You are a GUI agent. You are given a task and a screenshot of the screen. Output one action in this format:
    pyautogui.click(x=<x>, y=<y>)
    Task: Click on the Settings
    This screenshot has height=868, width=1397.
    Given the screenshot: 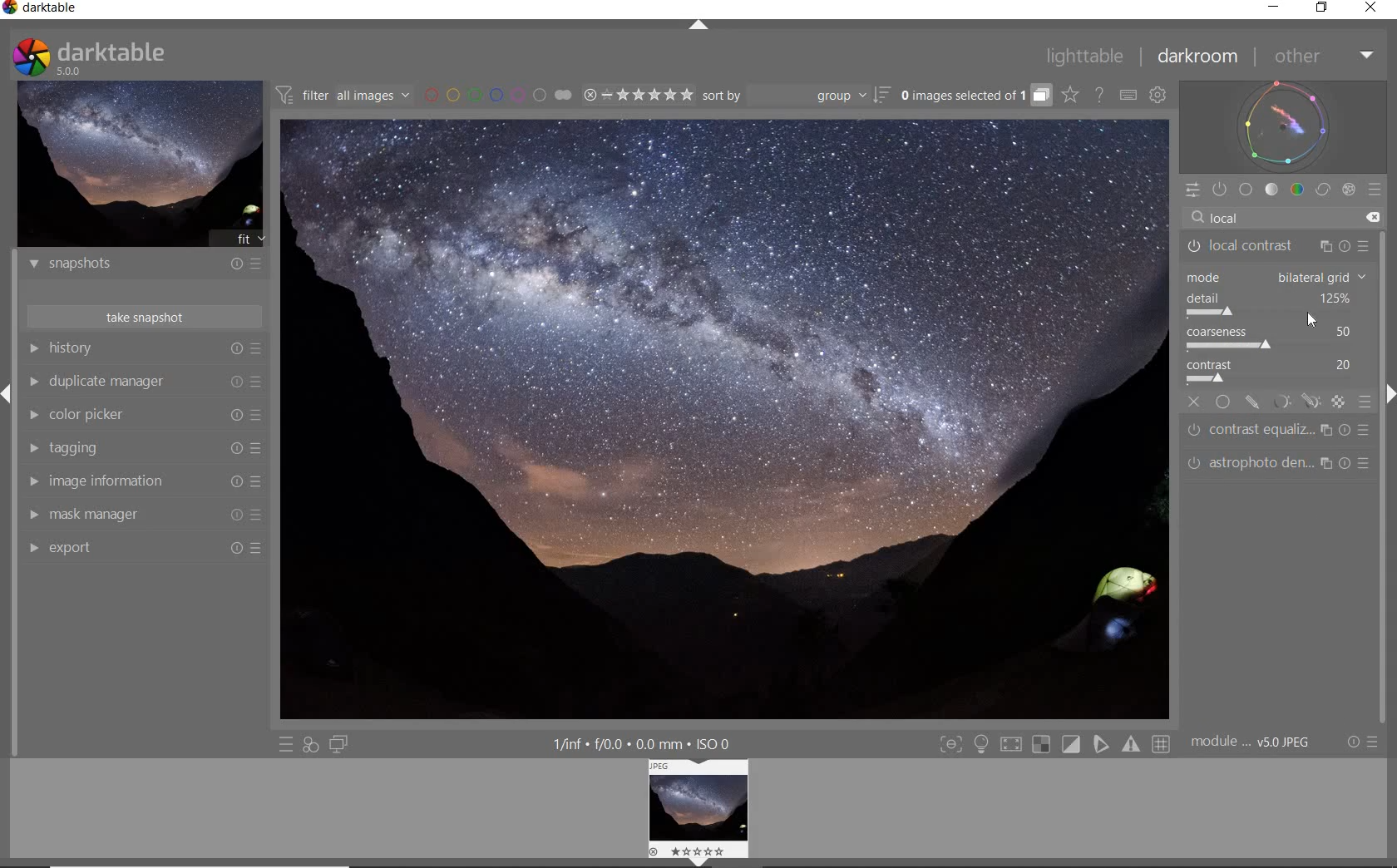 What is the action you would take?
    pyautogui.click(x=1352, y=742)
    